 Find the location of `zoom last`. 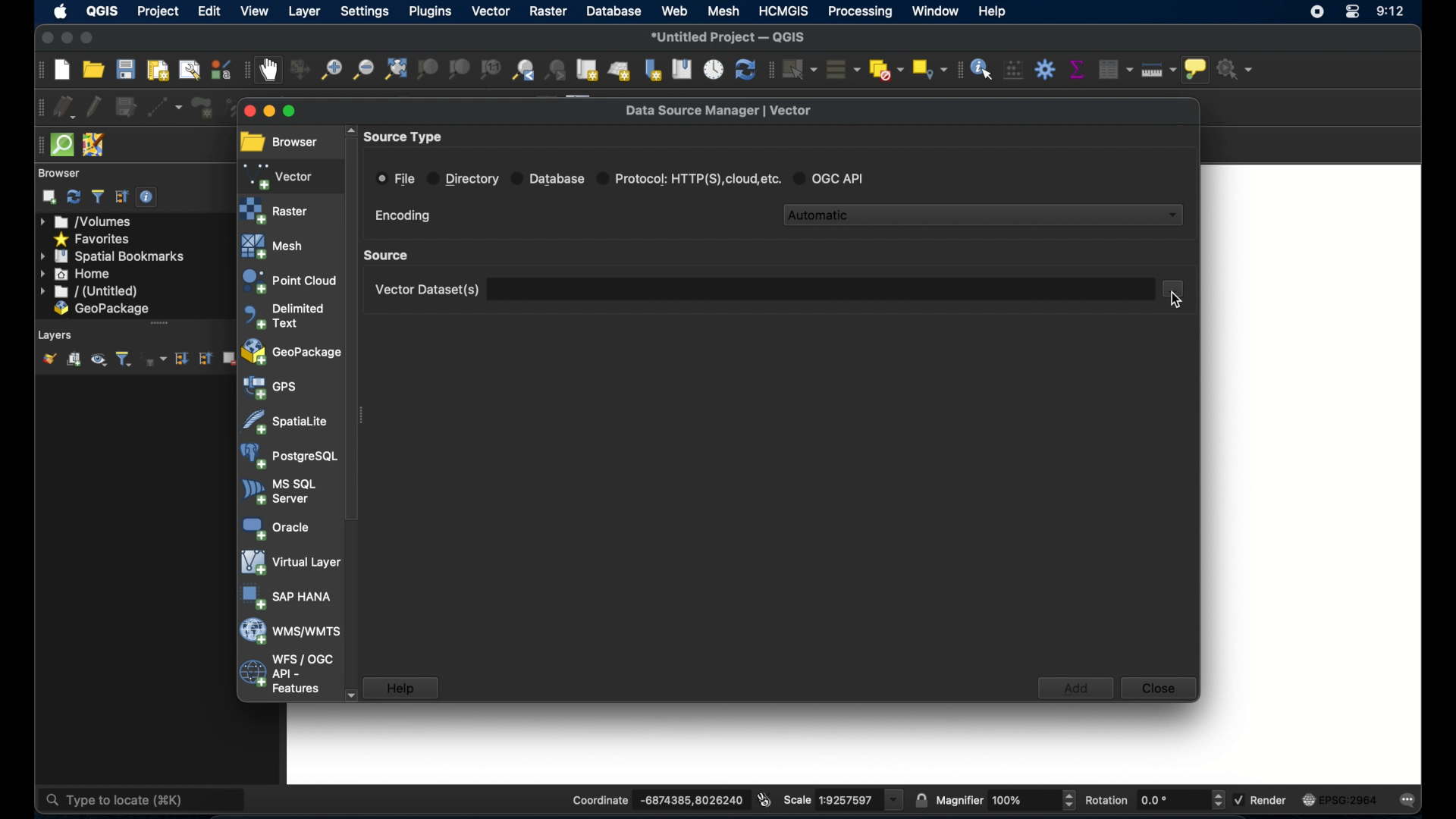

zoom last is located at coordinates (524, 71).